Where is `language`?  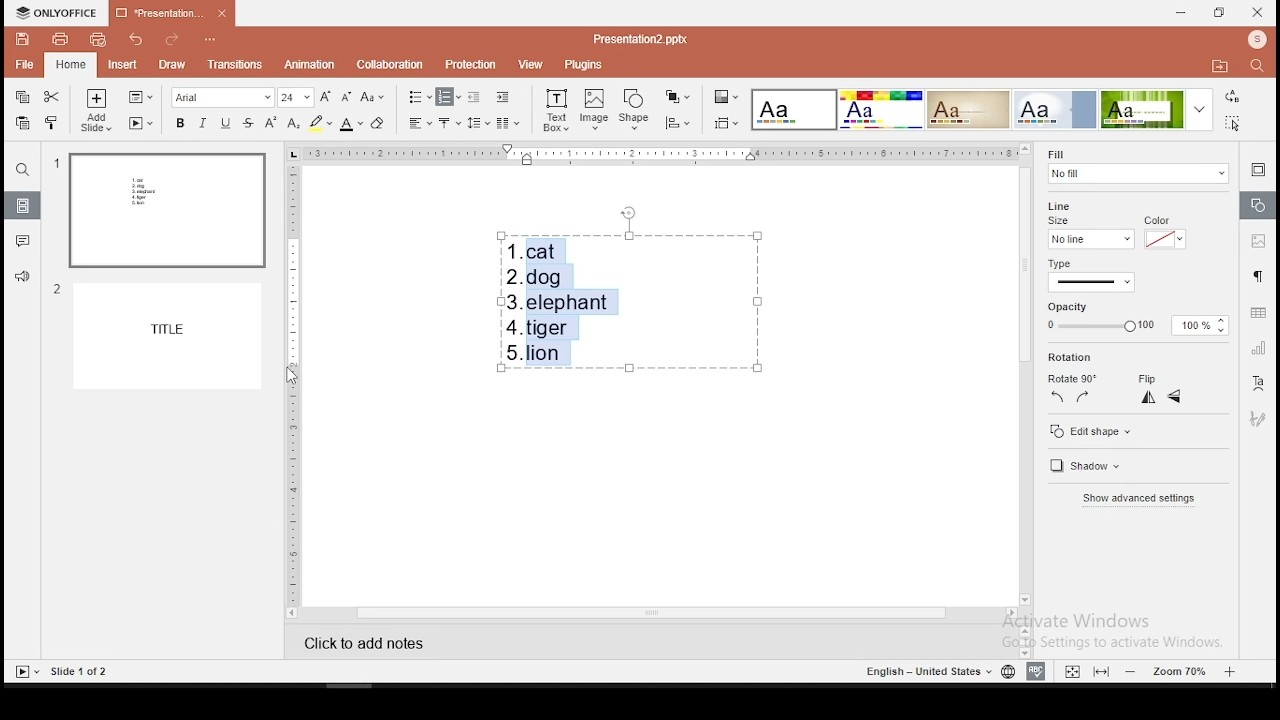
language is located at coordinates (1004, 671).